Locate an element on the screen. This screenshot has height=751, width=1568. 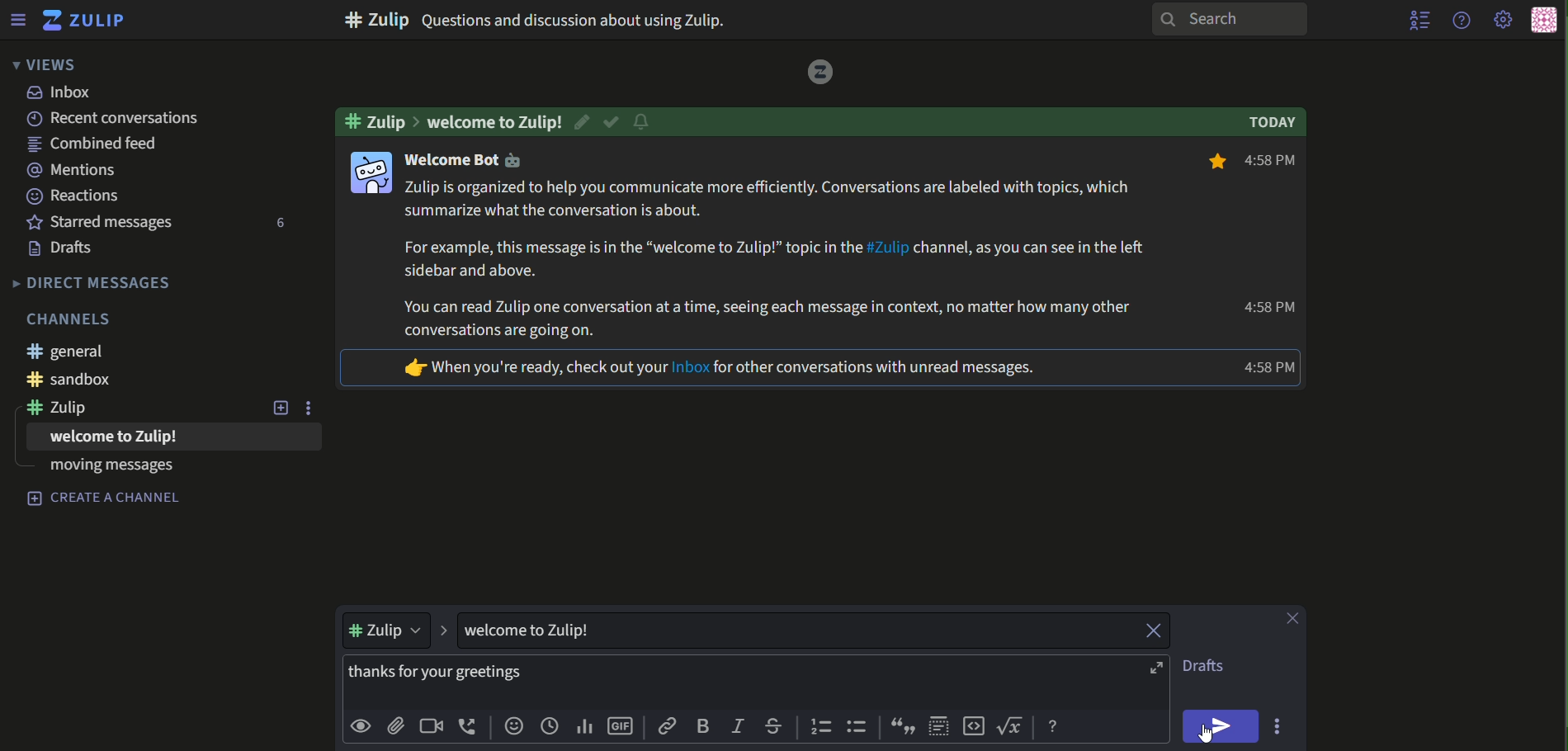
text is located at coordinates (497, 120).